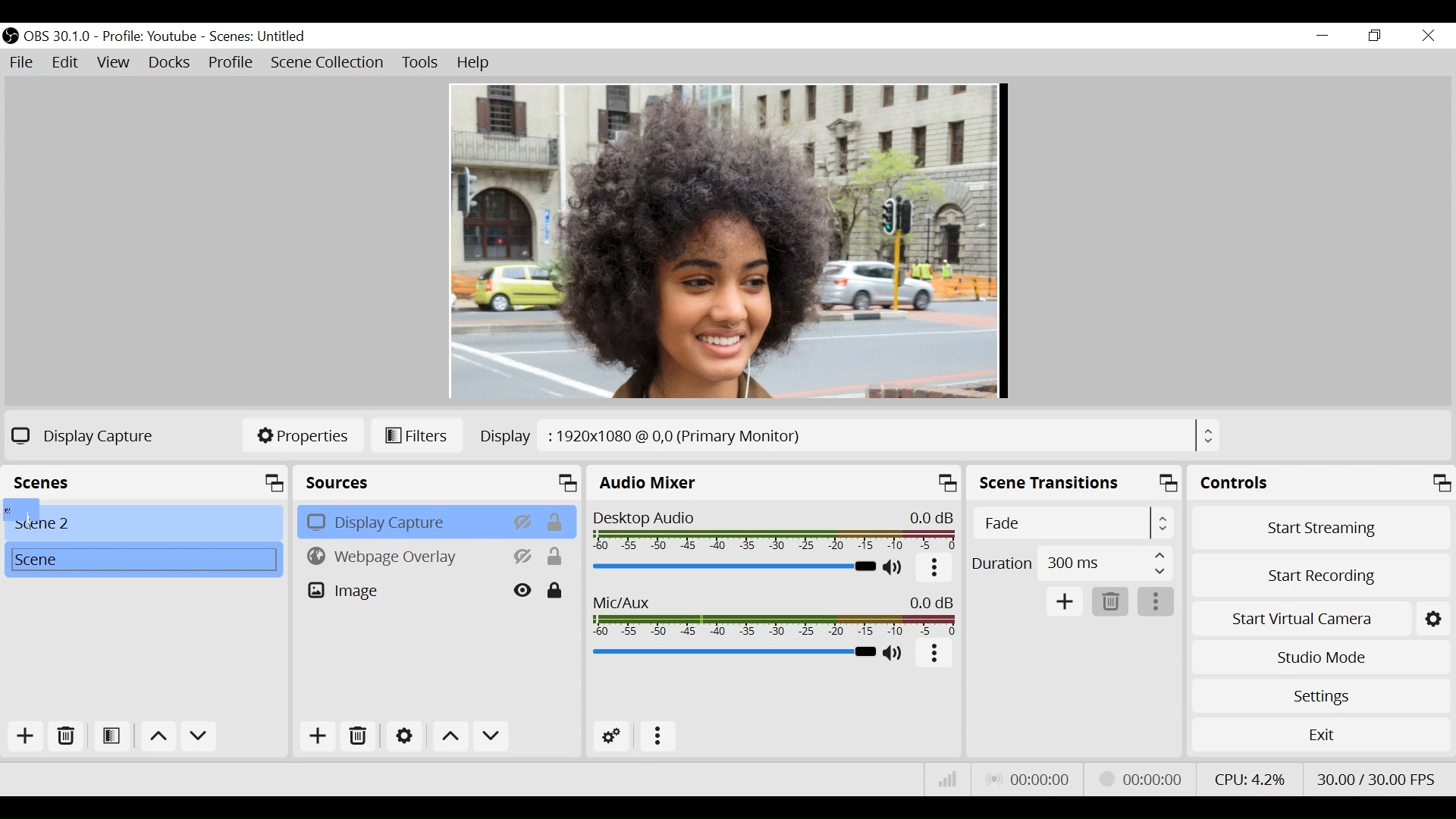 The width and height of the screenshot is (1456, 819). What do you see at coordinates (1318, 578) in the screenshot?
I see `Start Recording` at bounding box center [1318, 578].